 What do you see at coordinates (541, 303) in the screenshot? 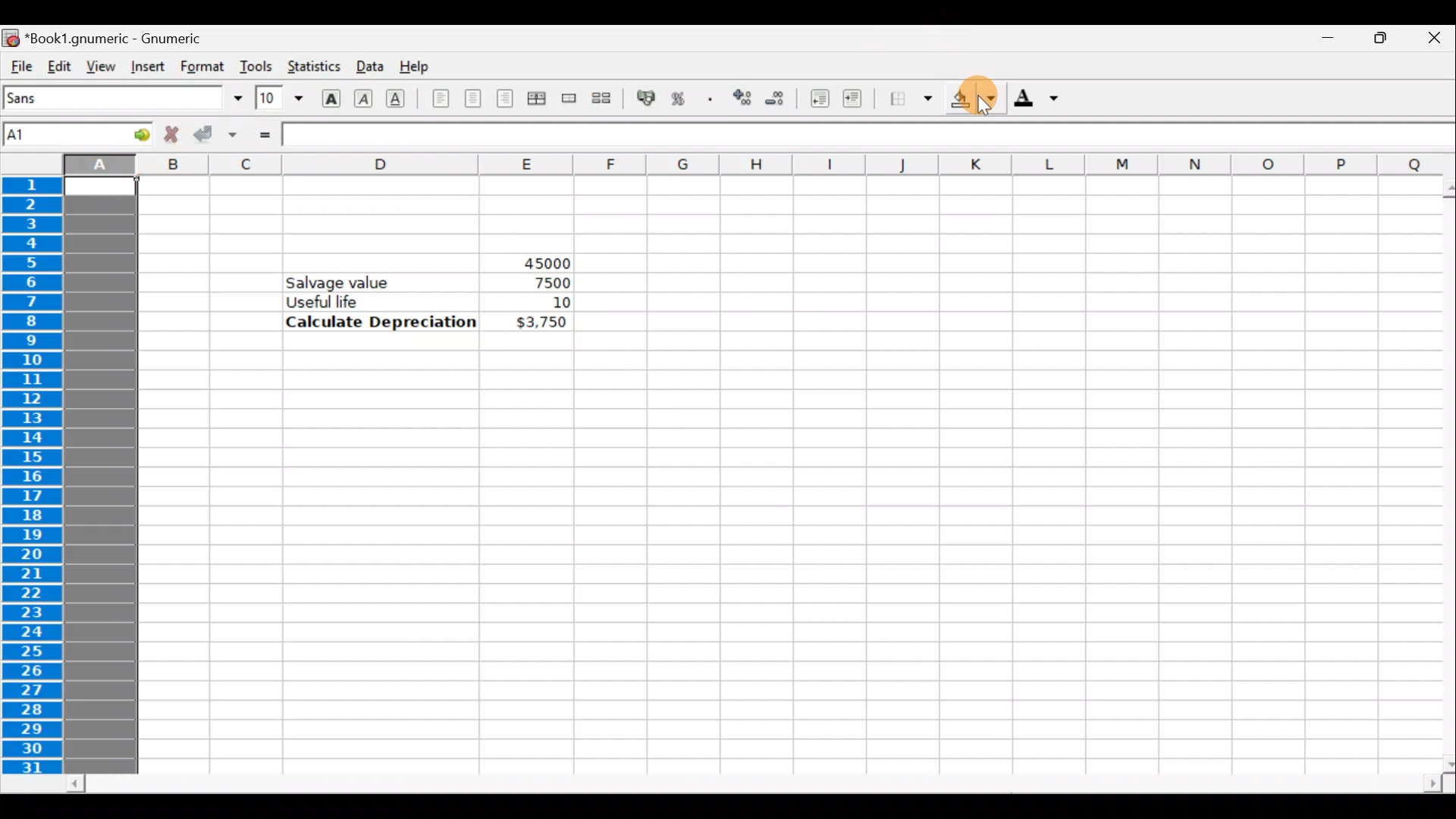
I see `10` at bounding box center [541, 303].